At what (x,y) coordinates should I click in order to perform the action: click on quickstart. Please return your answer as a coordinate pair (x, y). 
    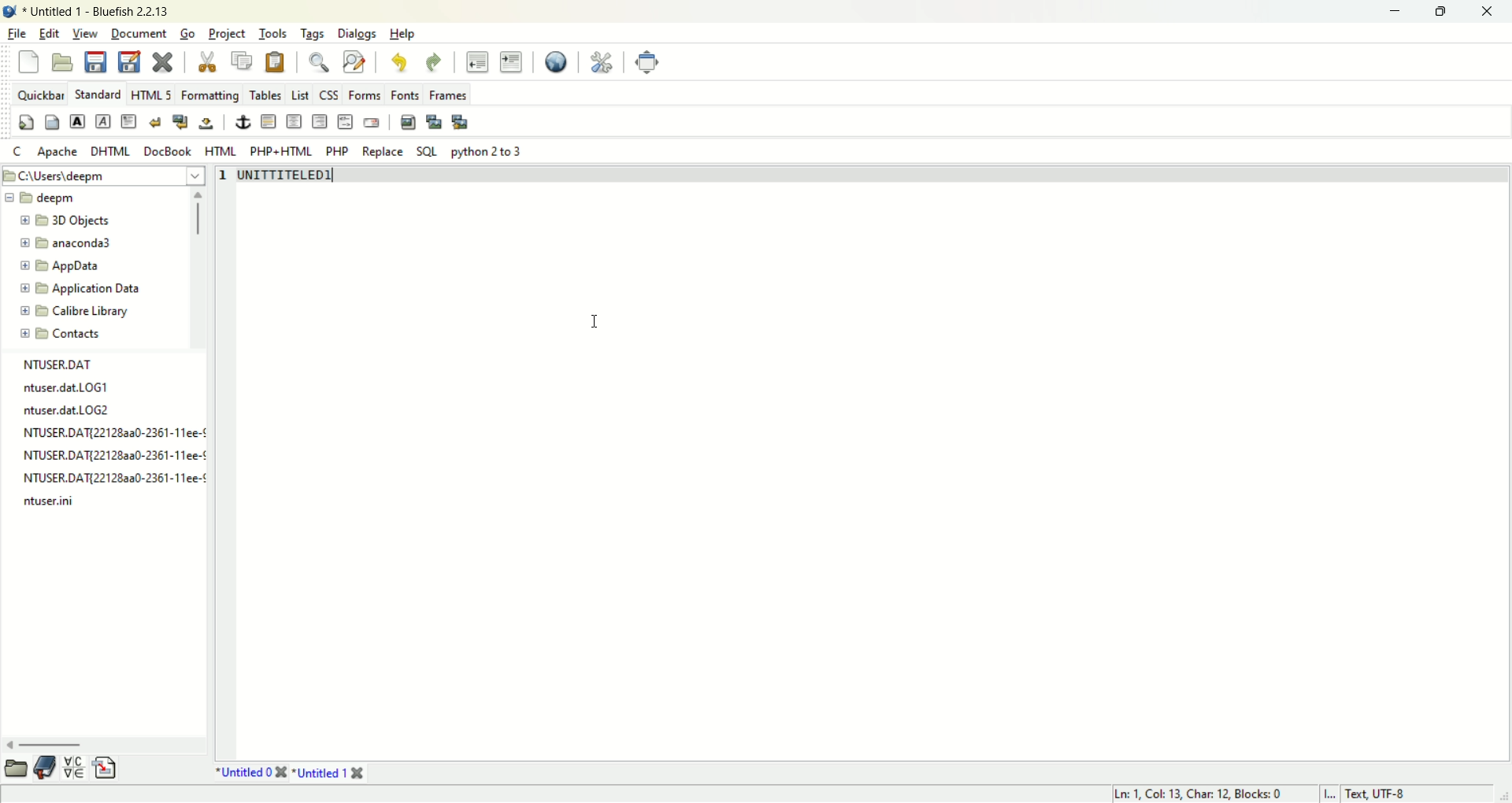
    Looking at the image, I should click on (24, 123).